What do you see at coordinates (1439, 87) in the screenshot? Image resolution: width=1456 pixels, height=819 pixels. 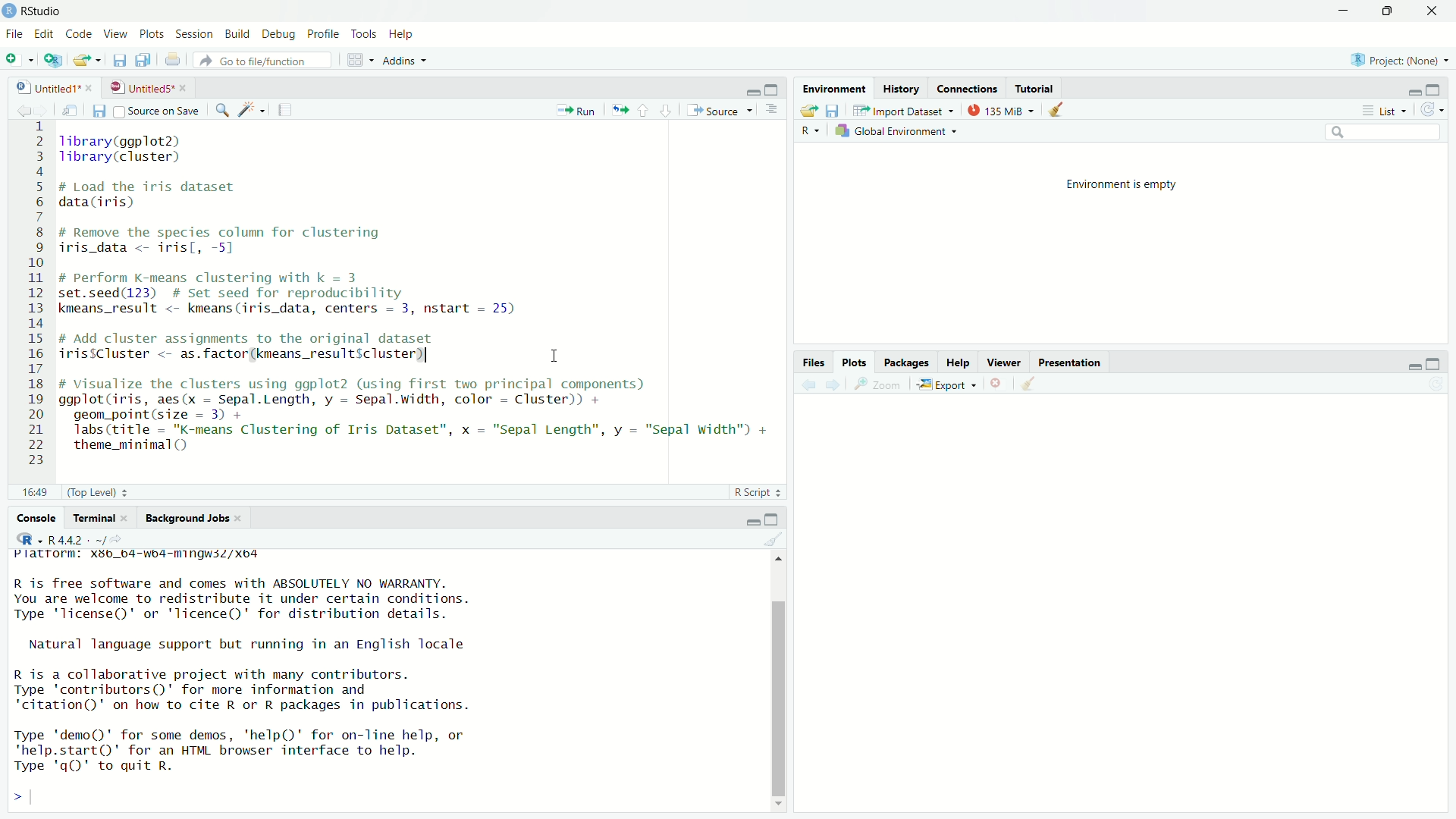 I see `maximize` at bounding box center [1439, 87].